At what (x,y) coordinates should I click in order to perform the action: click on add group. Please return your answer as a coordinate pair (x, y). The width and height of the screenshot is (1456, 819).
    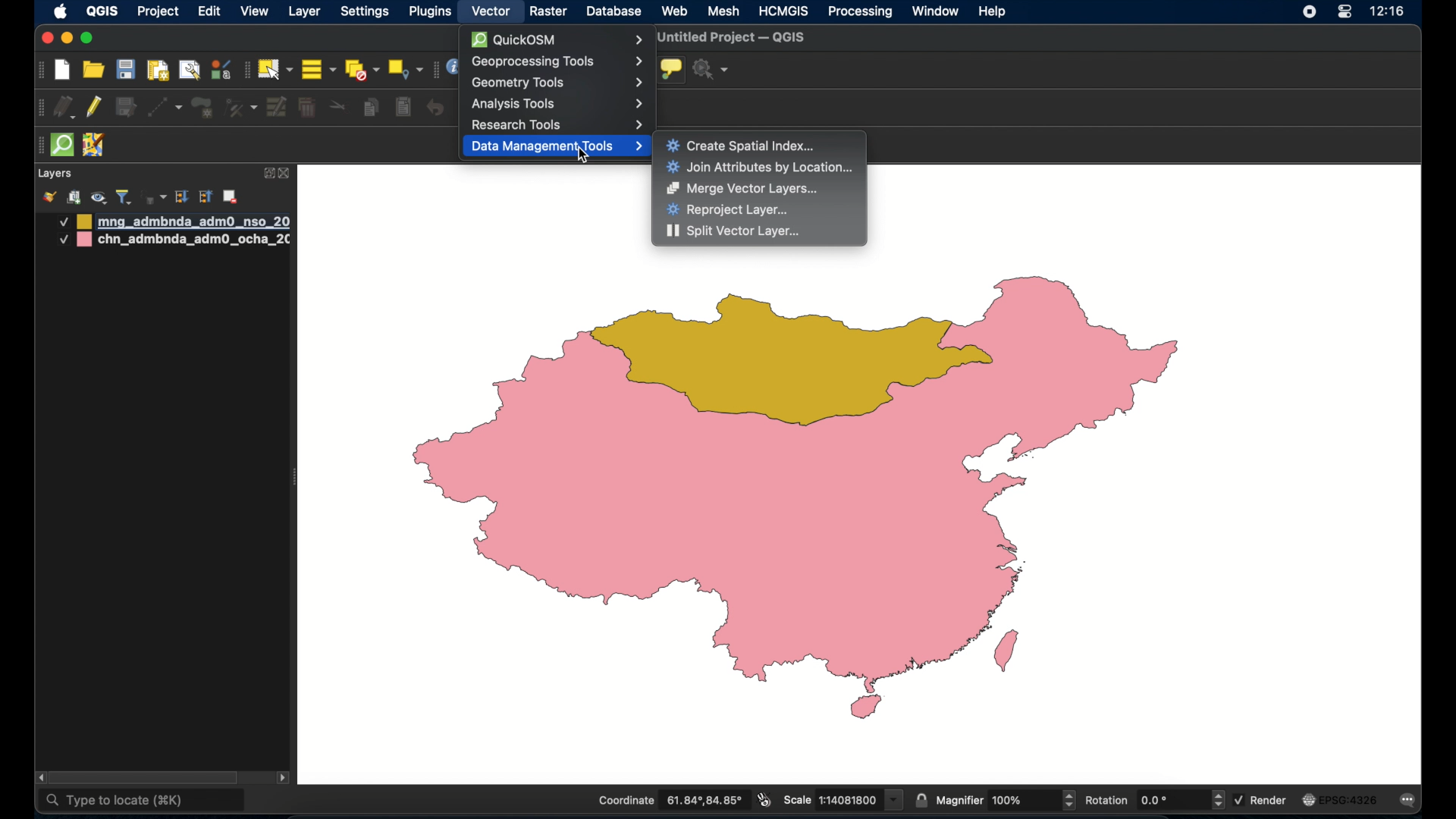
    Looking at the image, I should click on (74, 197).